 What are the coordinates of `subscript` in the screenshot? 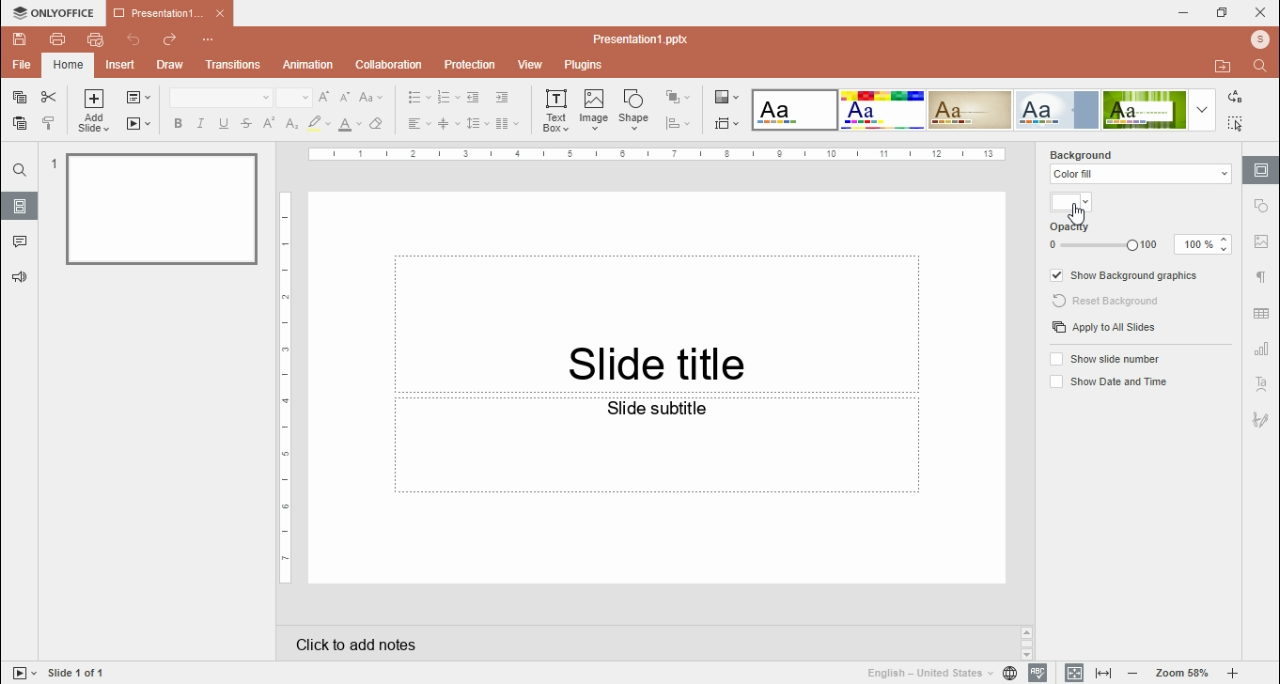 It's located at (291, 124).